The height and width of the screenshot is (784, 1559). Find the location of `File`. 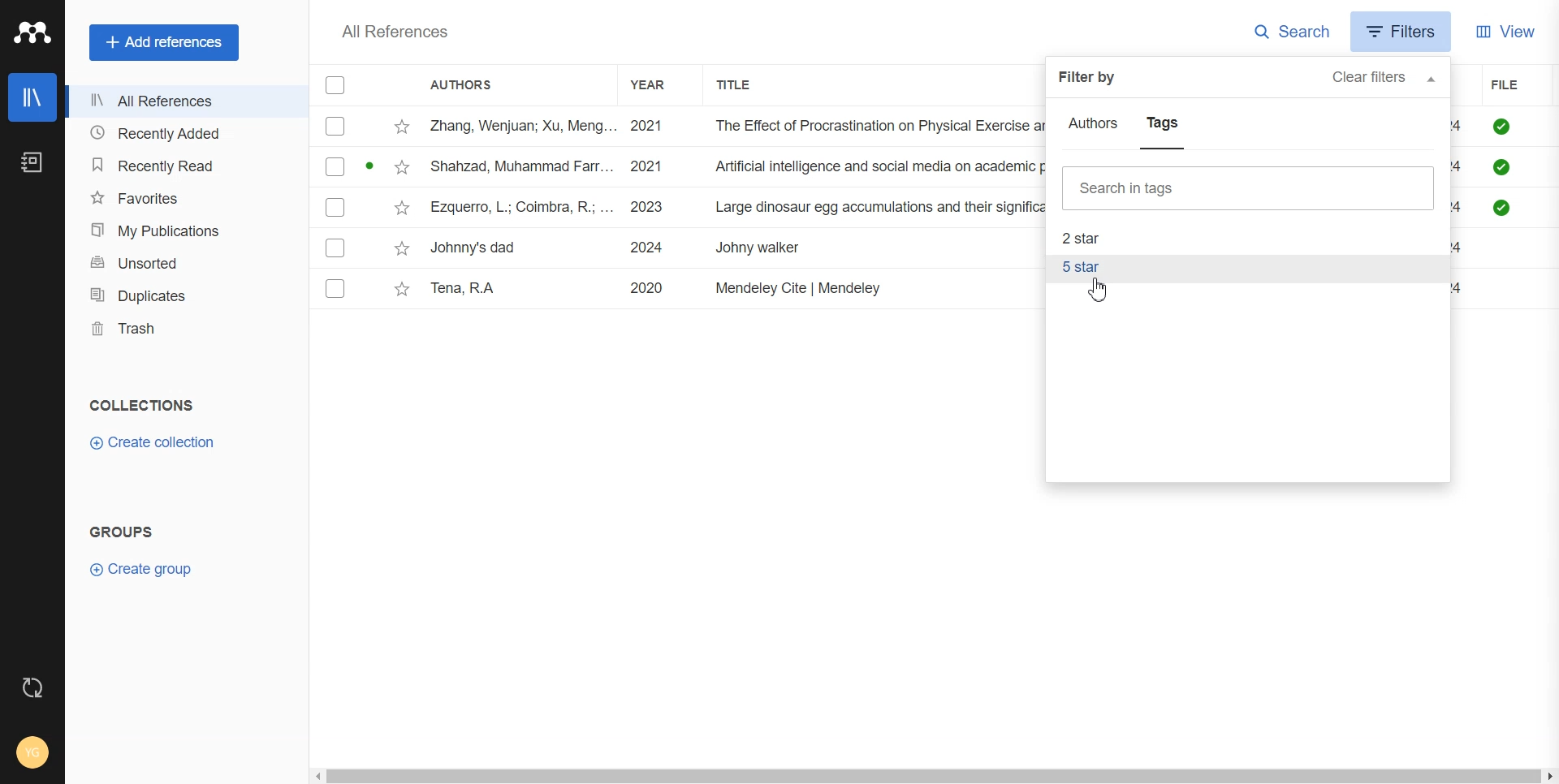

File is located at coordinates (672, 167).